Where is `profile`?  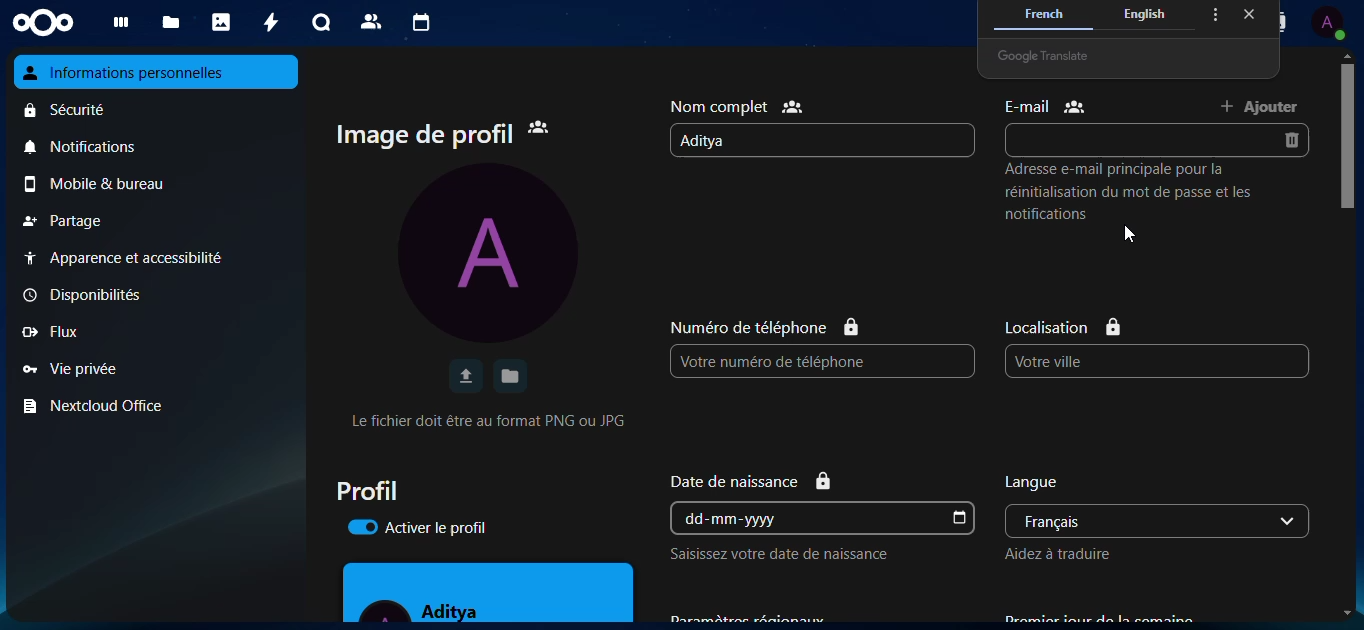 profile is located at coordinates (1328, 22).